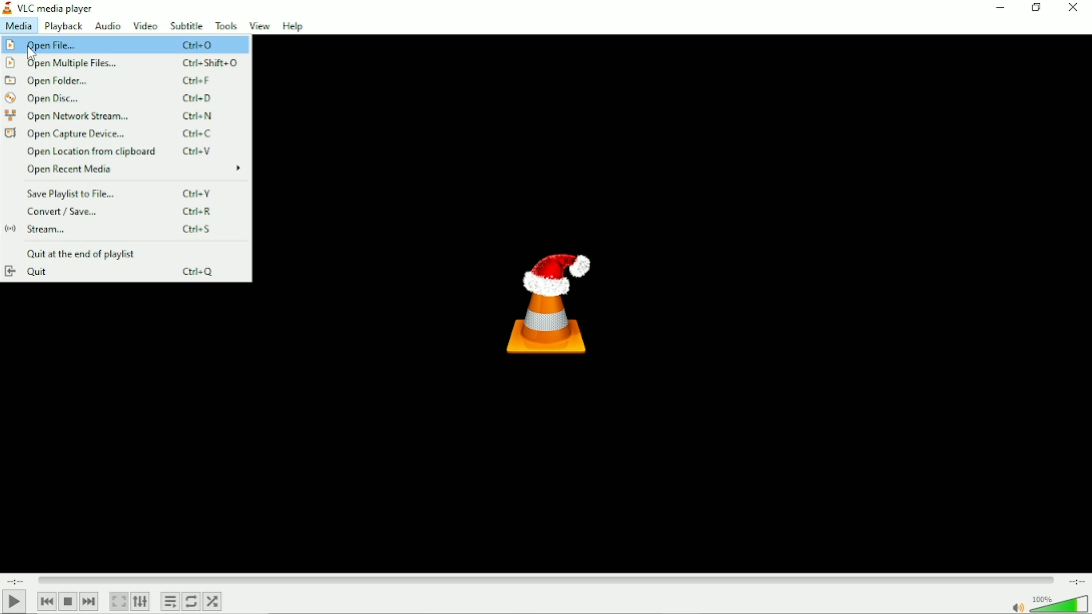 The image size is (1092, 614). Describe the element at coordinates (140, 601) in the screenshot. I see `Show extended settings` at that location.